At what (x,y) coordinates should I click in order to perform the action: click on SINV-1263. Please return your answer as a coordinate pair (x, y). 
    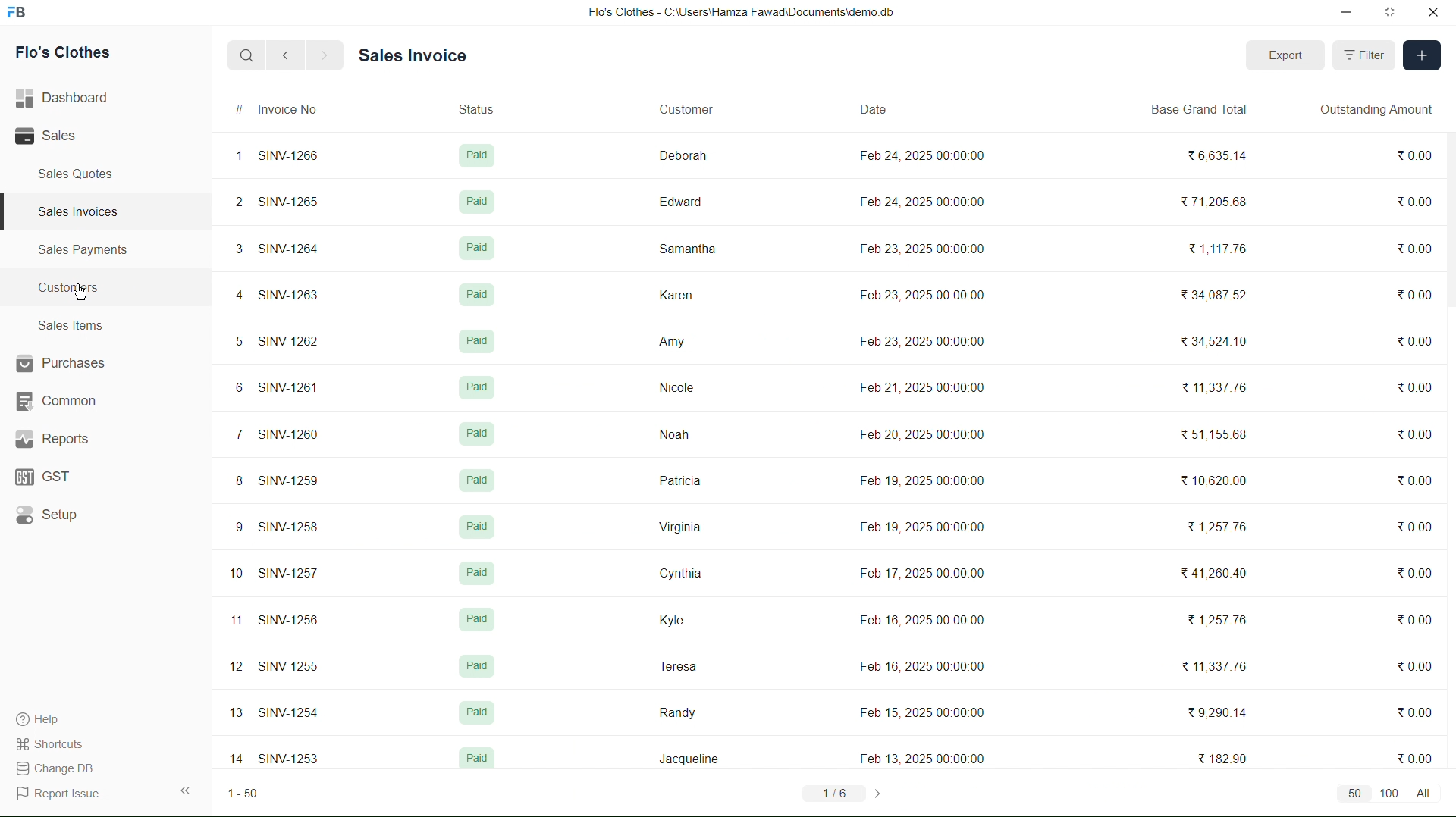
    Looking at the image, I should click on (286, 293).